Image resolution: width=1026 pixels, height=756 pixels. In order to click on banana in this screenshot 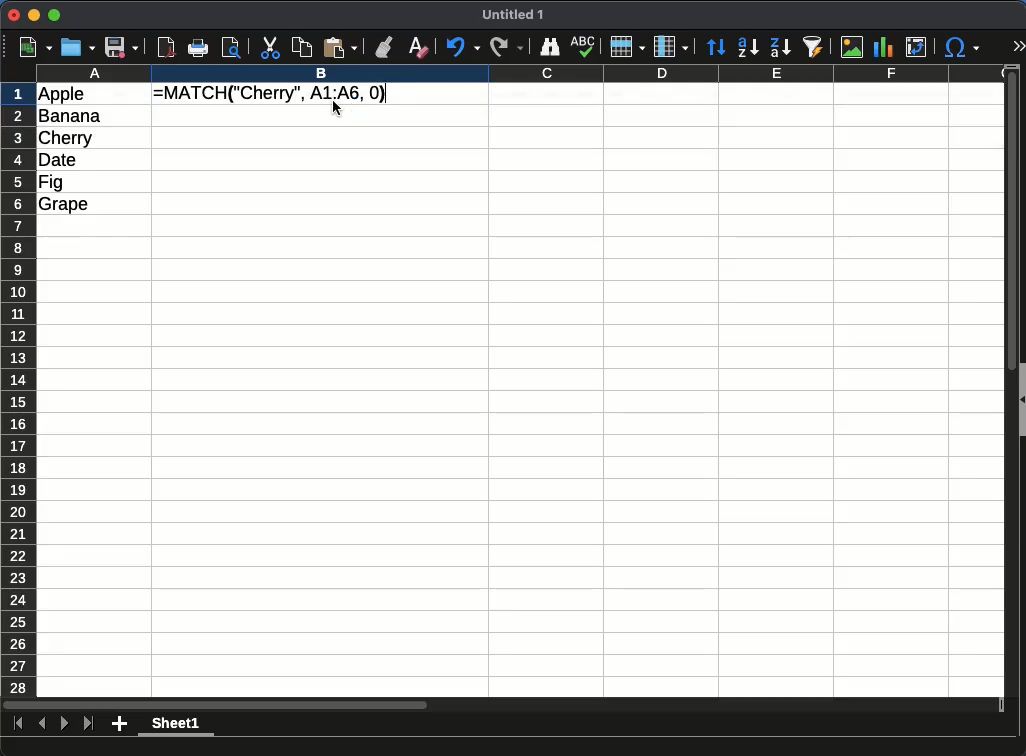, I will do `click(70, 116)`.